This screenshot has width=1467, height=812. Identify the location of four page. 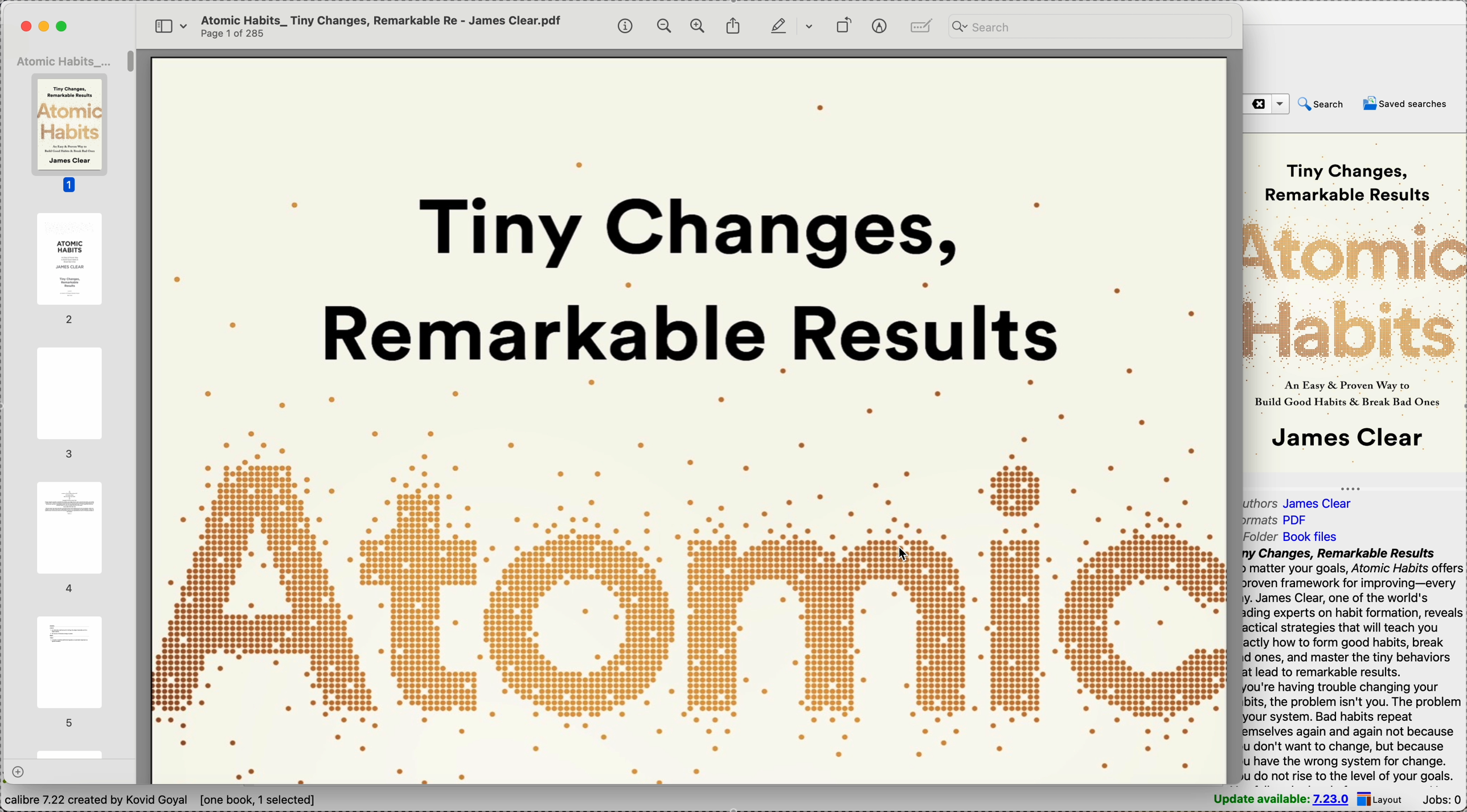
(70, 537).